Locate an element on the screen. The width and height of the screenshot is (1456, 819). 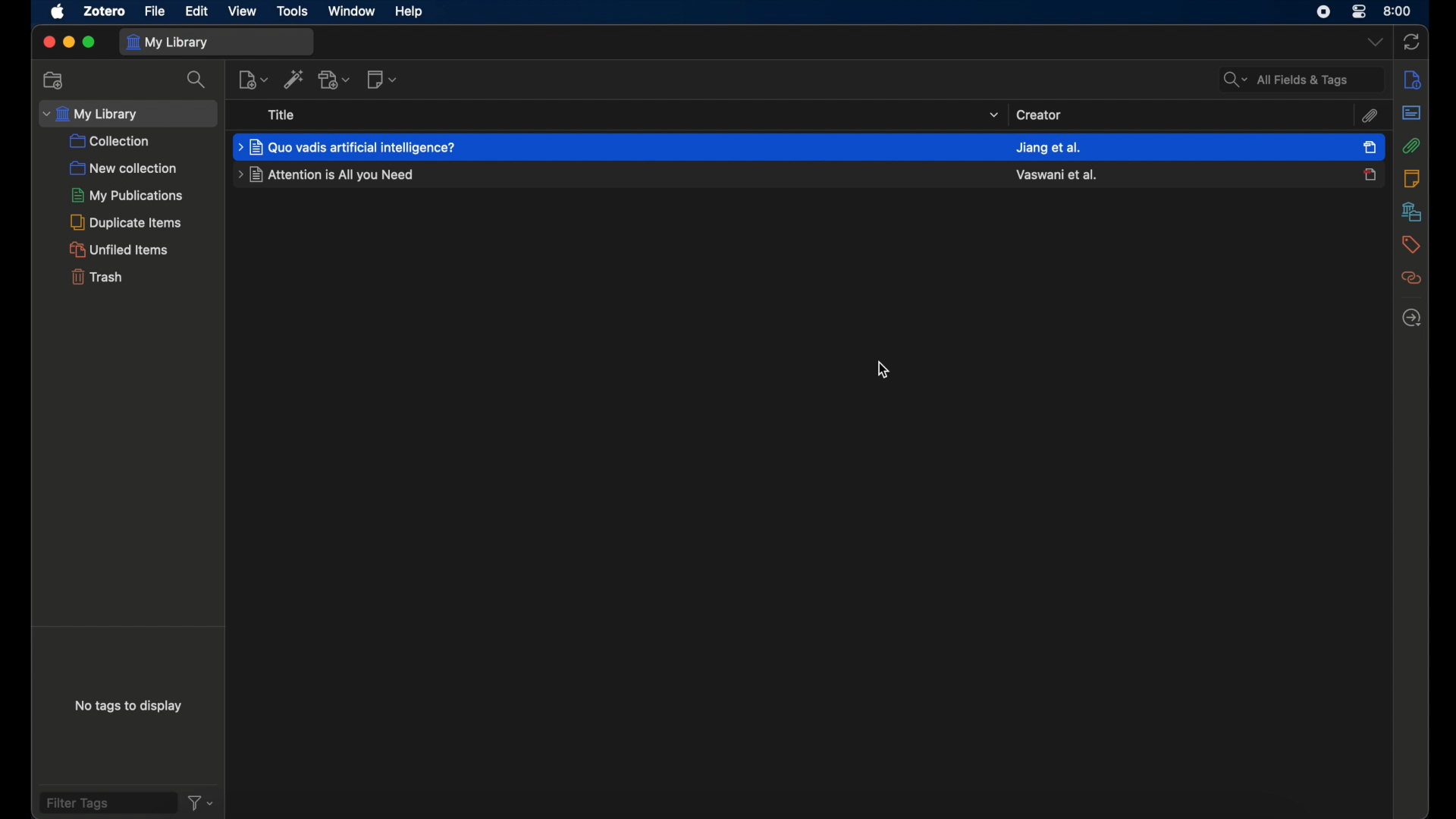
zotero is located at coordinates (102, 11).